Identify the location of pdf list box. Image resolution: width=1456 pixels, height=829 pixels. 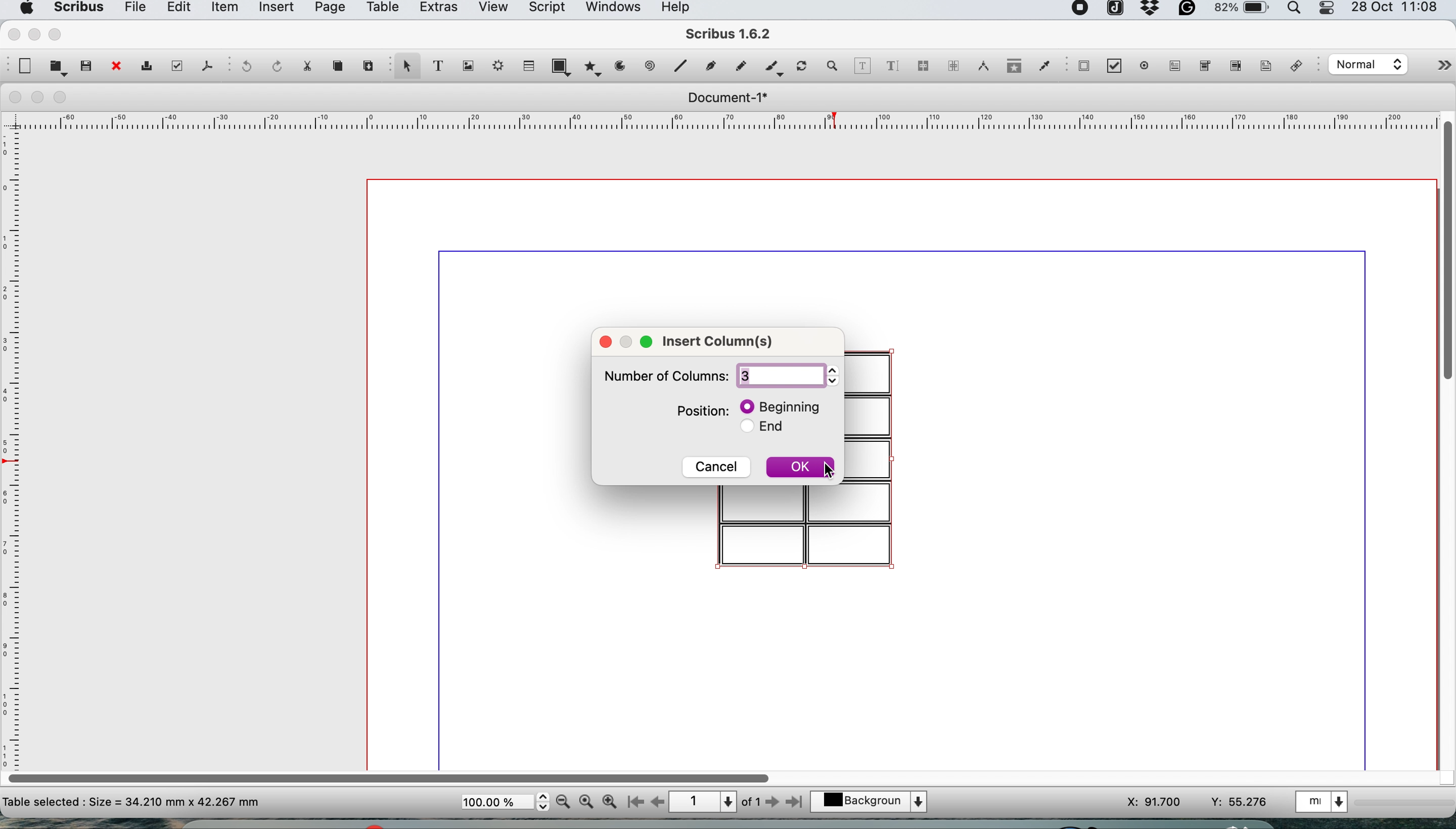
(1234, 68).